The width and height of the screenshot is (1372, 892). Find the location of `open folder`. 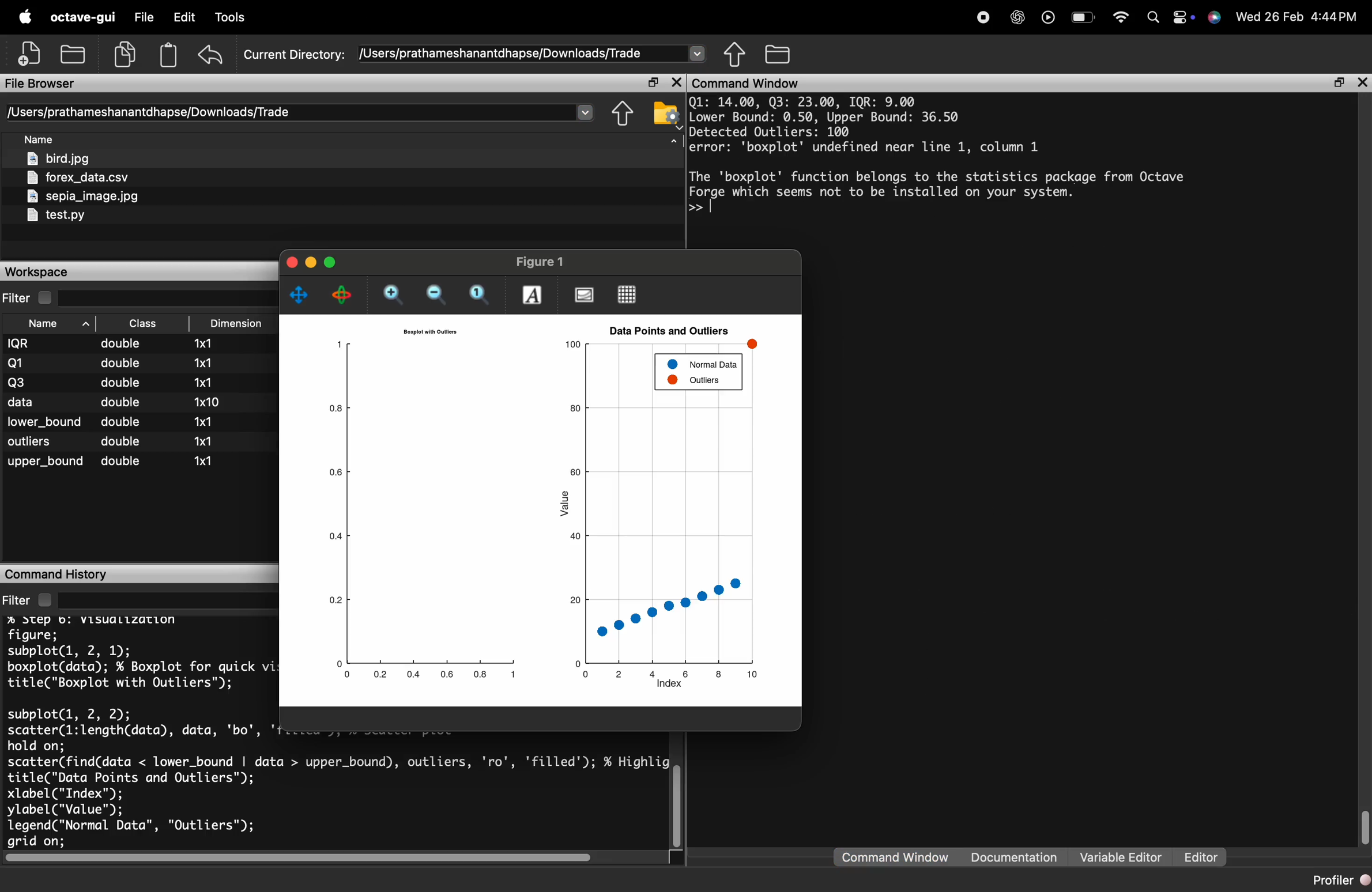

open folder is located at coordinates (74, 52).